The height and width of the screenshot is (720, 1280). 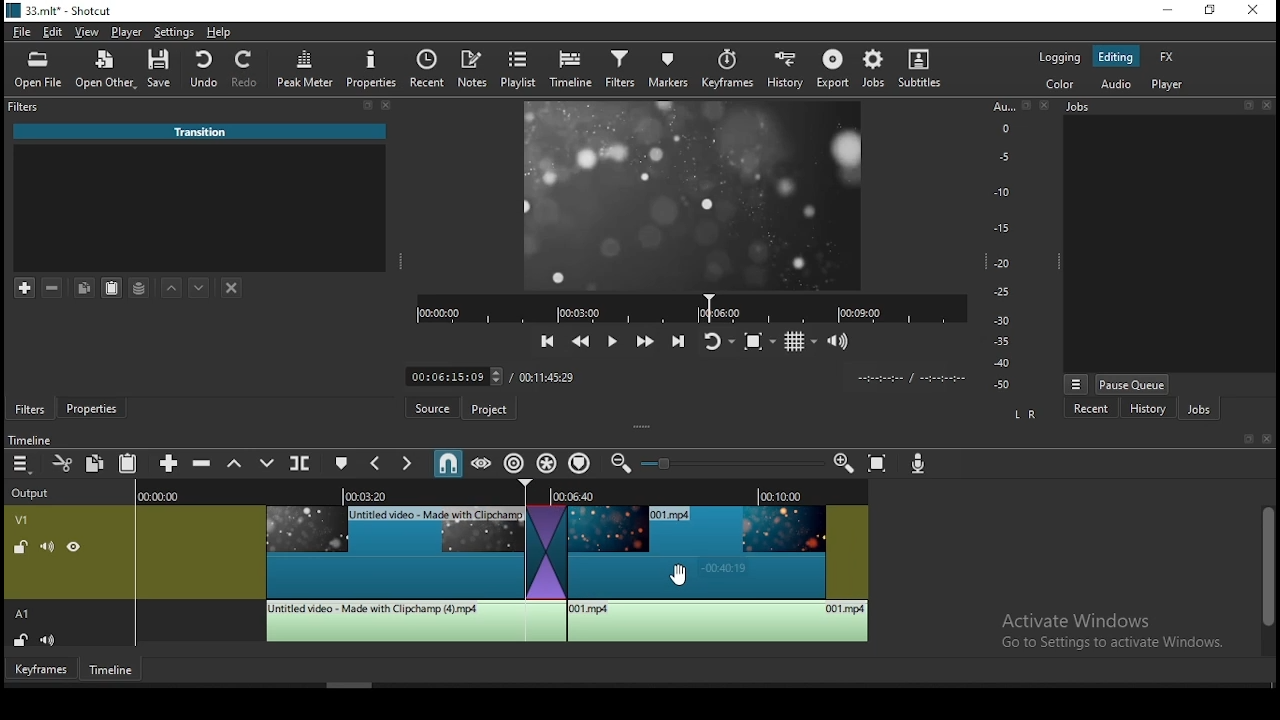 What do you see at coordinates (921, 68) in the screenshot?
I see `subtitle` at bounding box center [921, 68].